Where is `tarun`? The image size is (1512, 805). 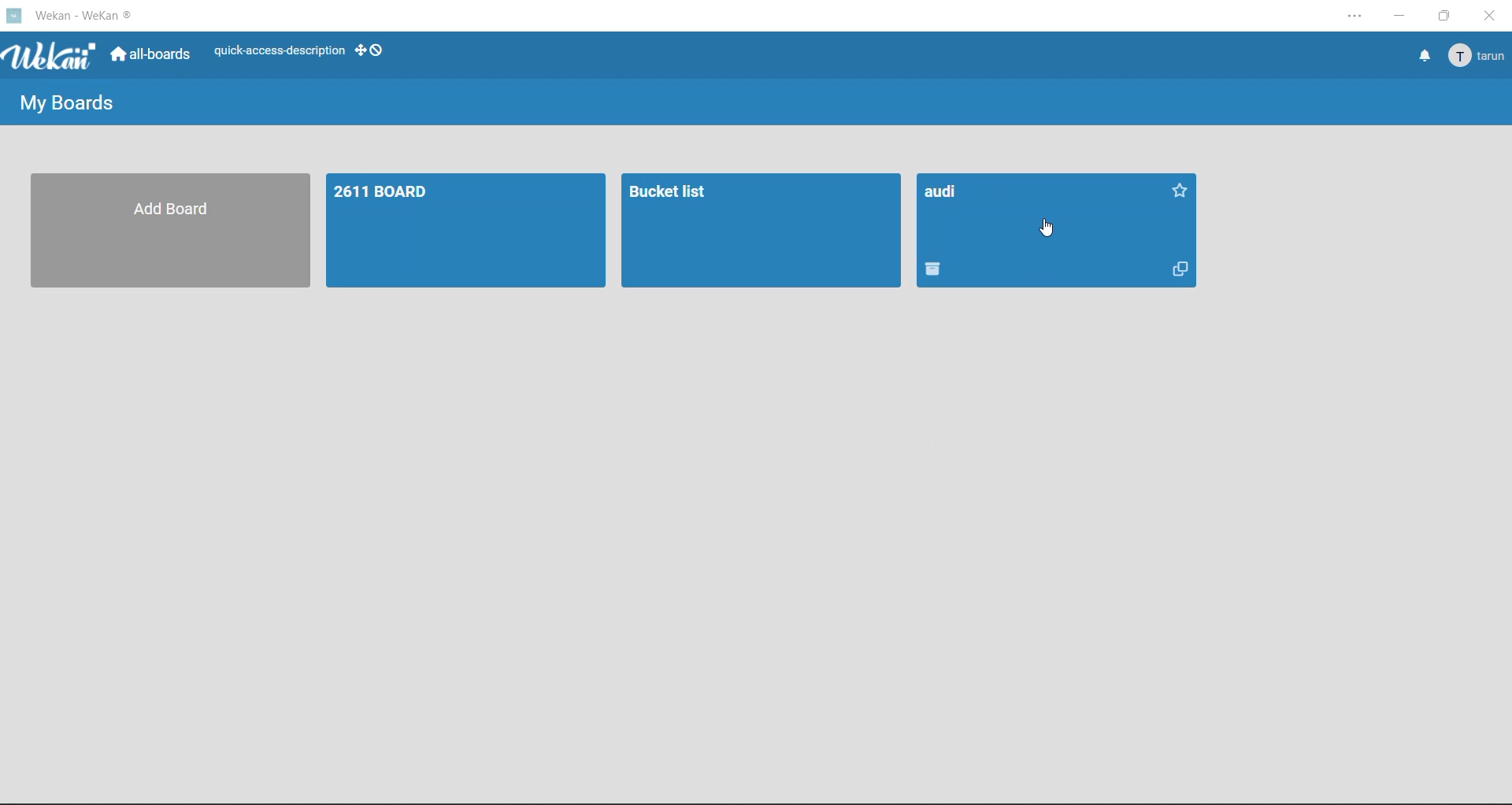 tarun is located at coordinates (1479, 58).